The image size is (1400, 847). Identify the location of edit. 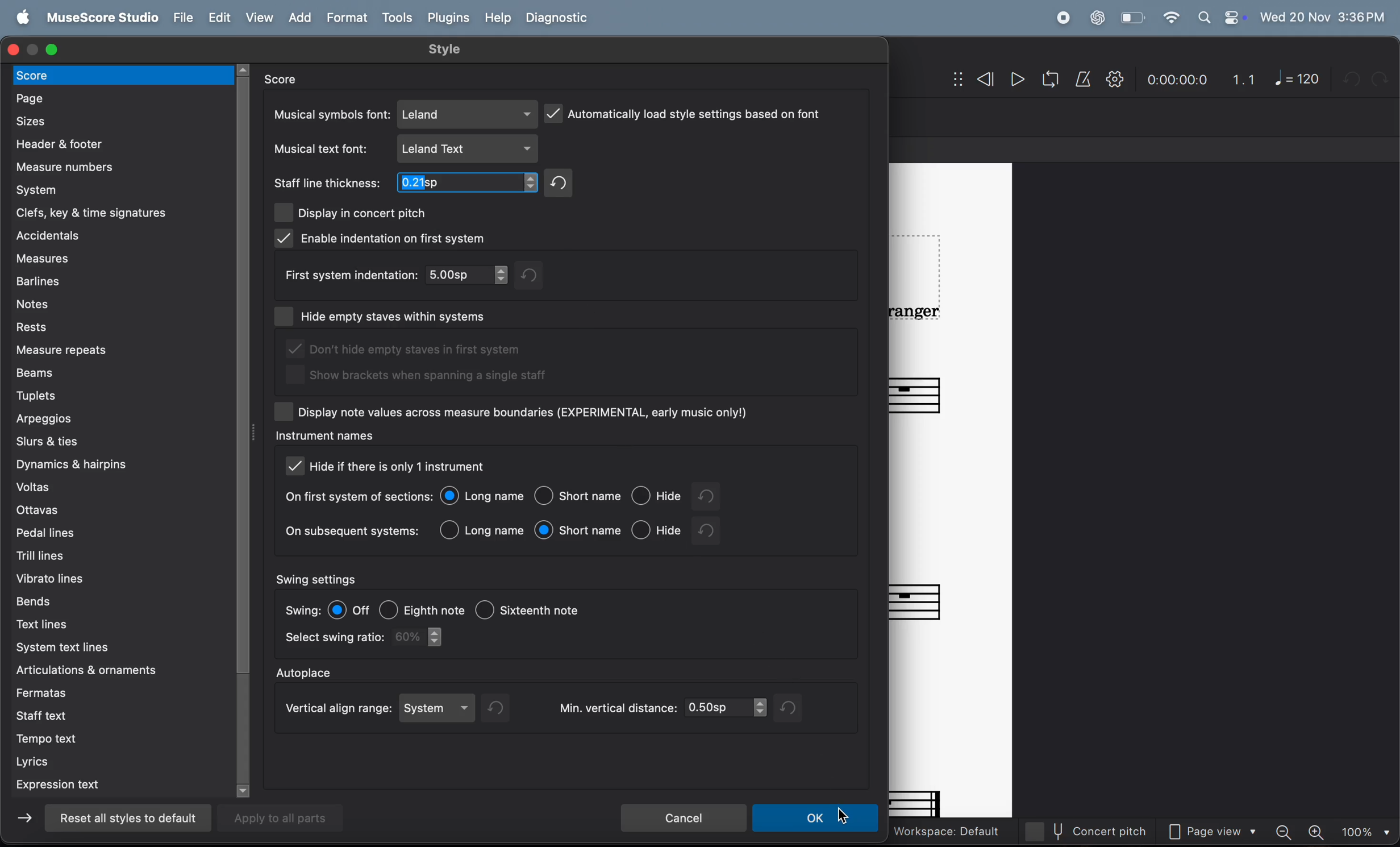
(218, 18).